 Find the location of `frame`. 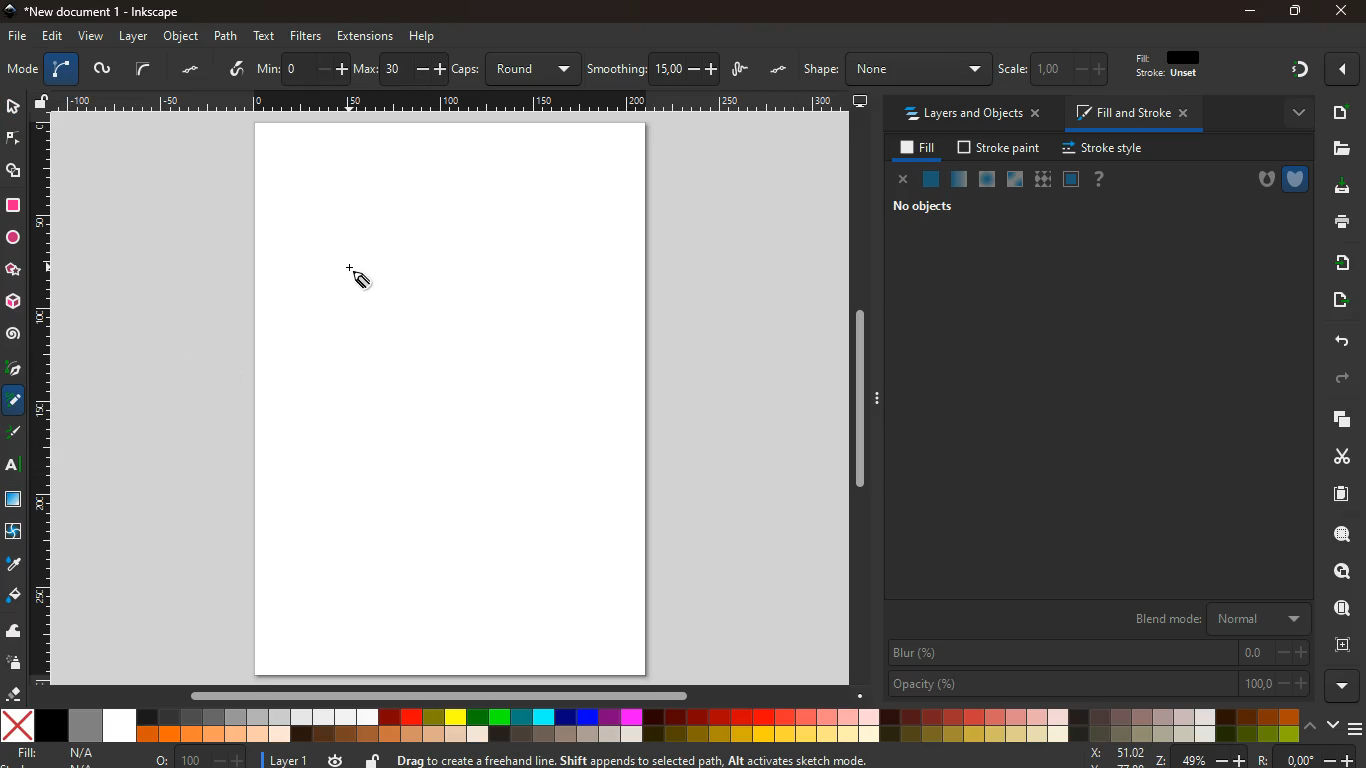

frame is located at coordinates (1340, 643).